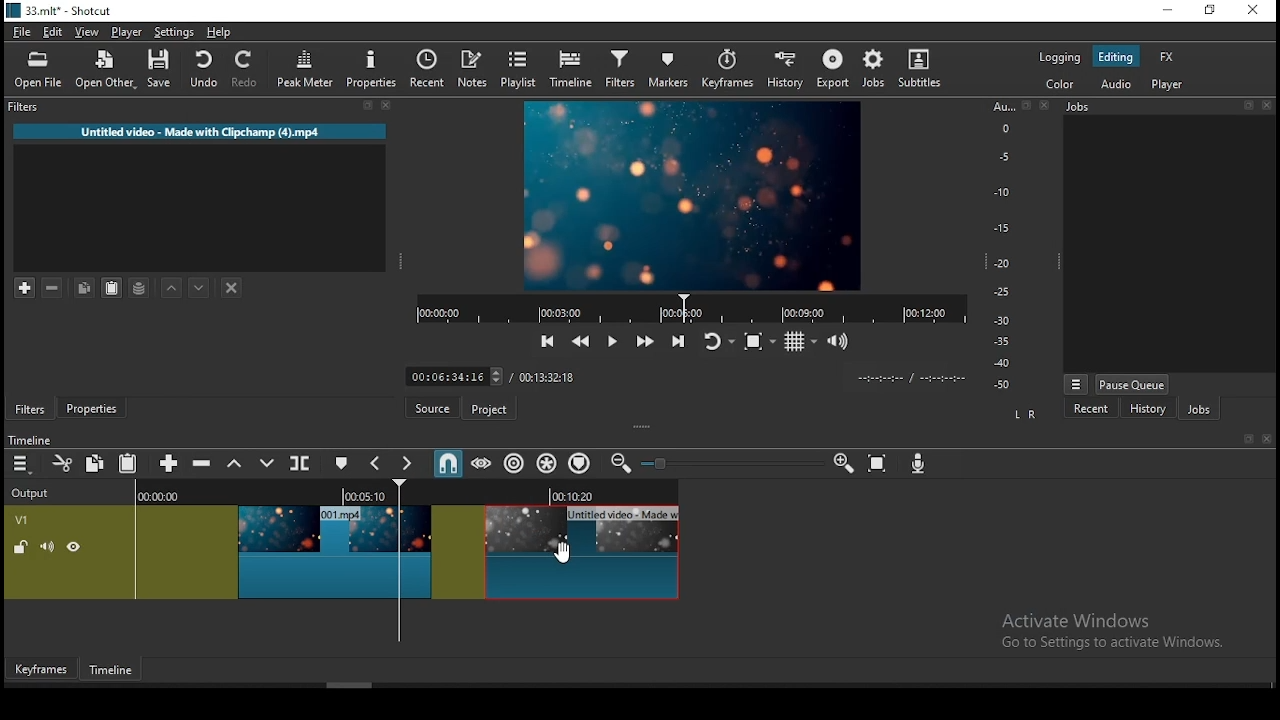  What do you see at coordinates (545, 342) in the screenshot?
I see `skip to previous point` at bounding box center [545, 342].